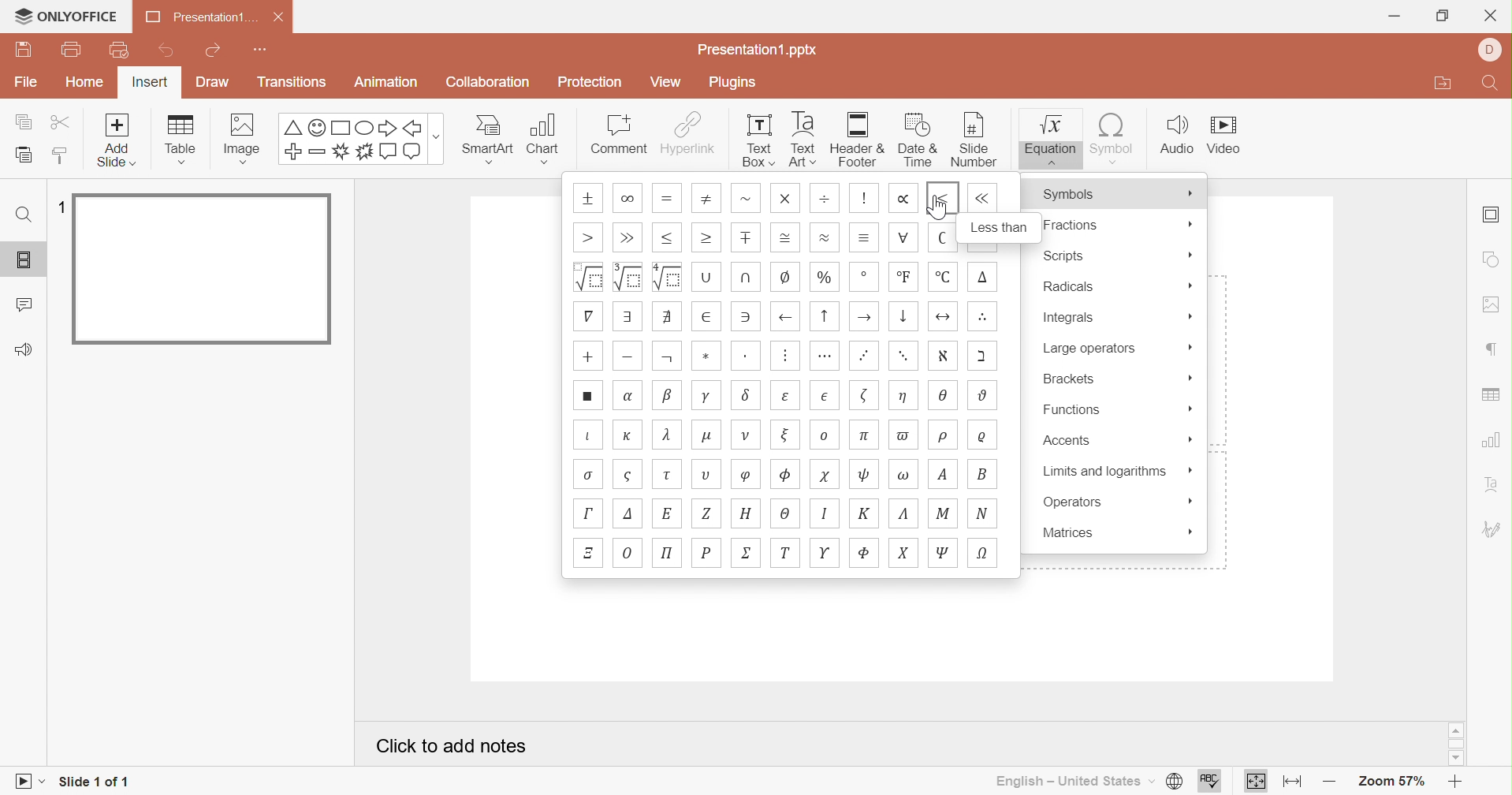 This screenshot has height=795, width=1512. I want to click on more options, so click(438, 140).